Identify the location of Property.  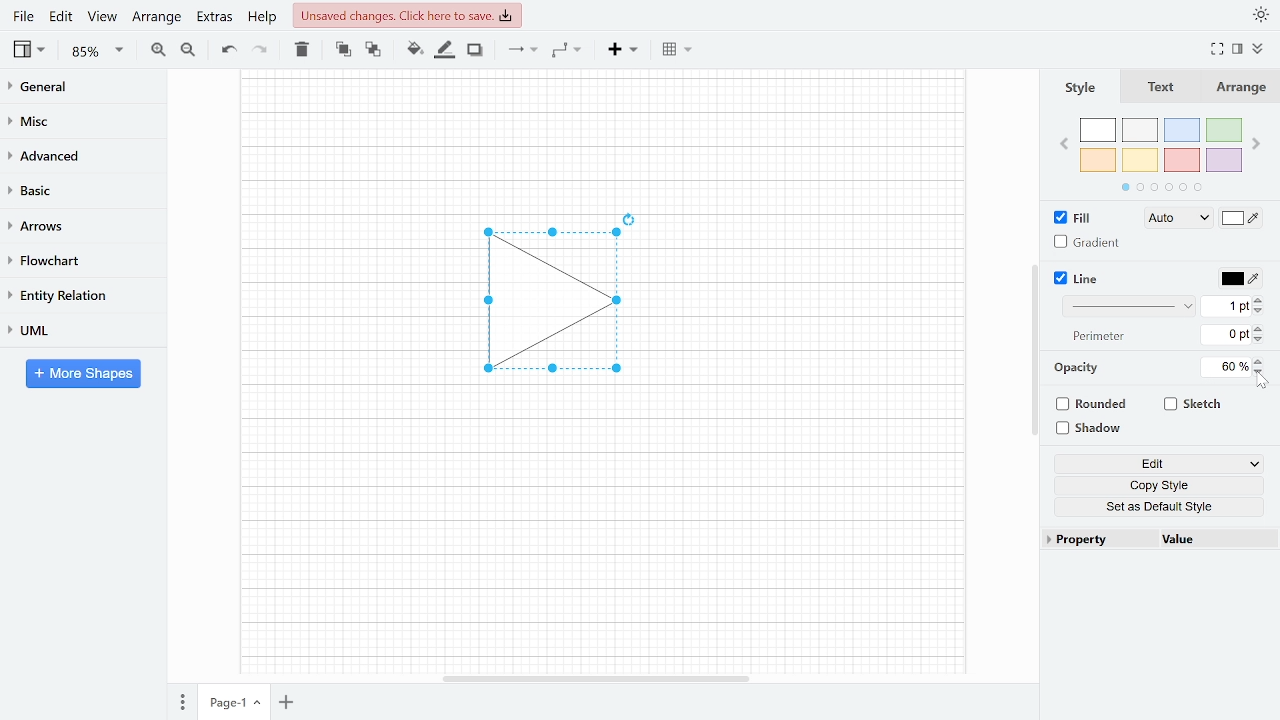
(1098, 540).